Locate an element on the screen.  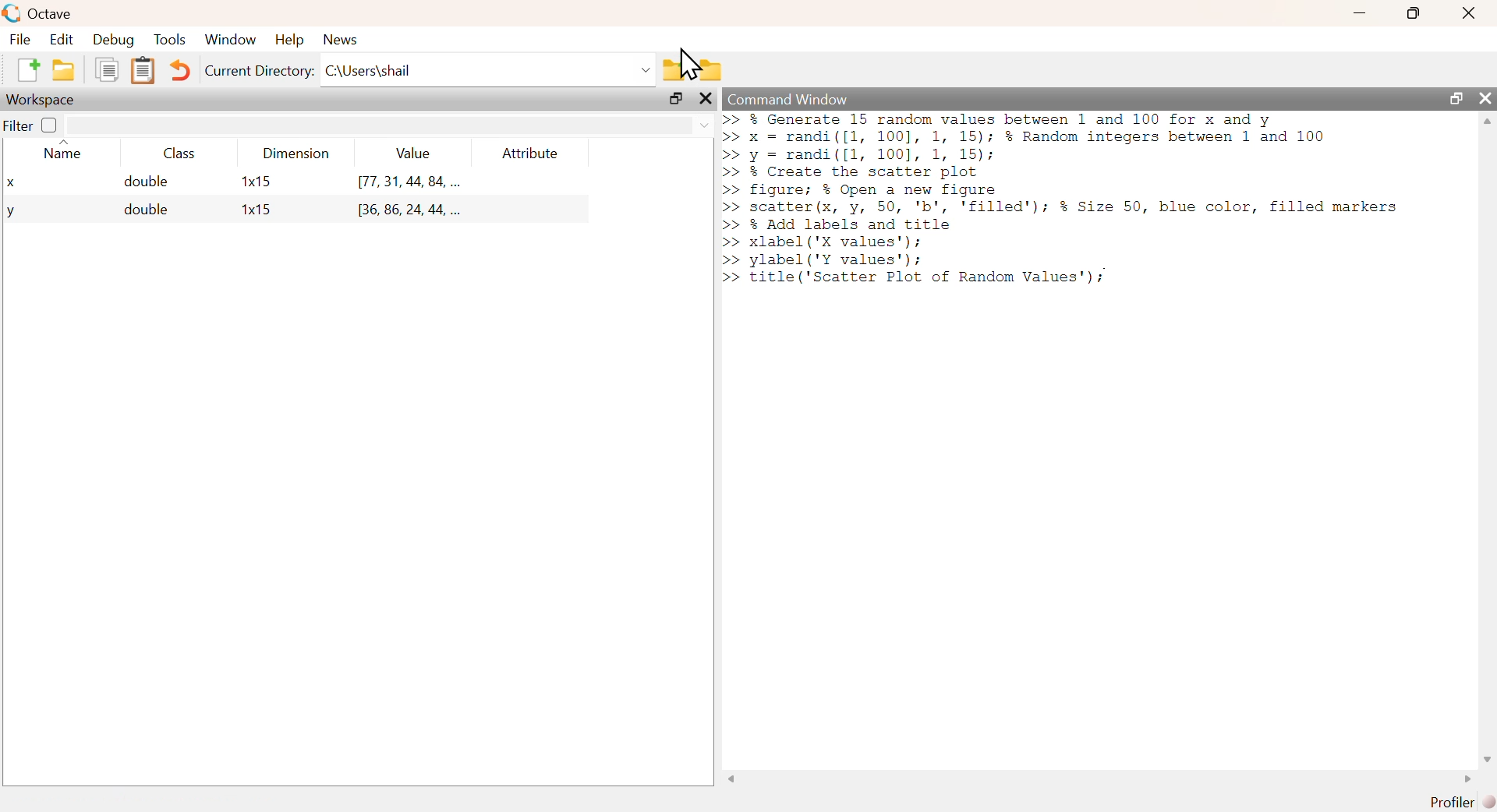
News is located at coordinates (342, 39).